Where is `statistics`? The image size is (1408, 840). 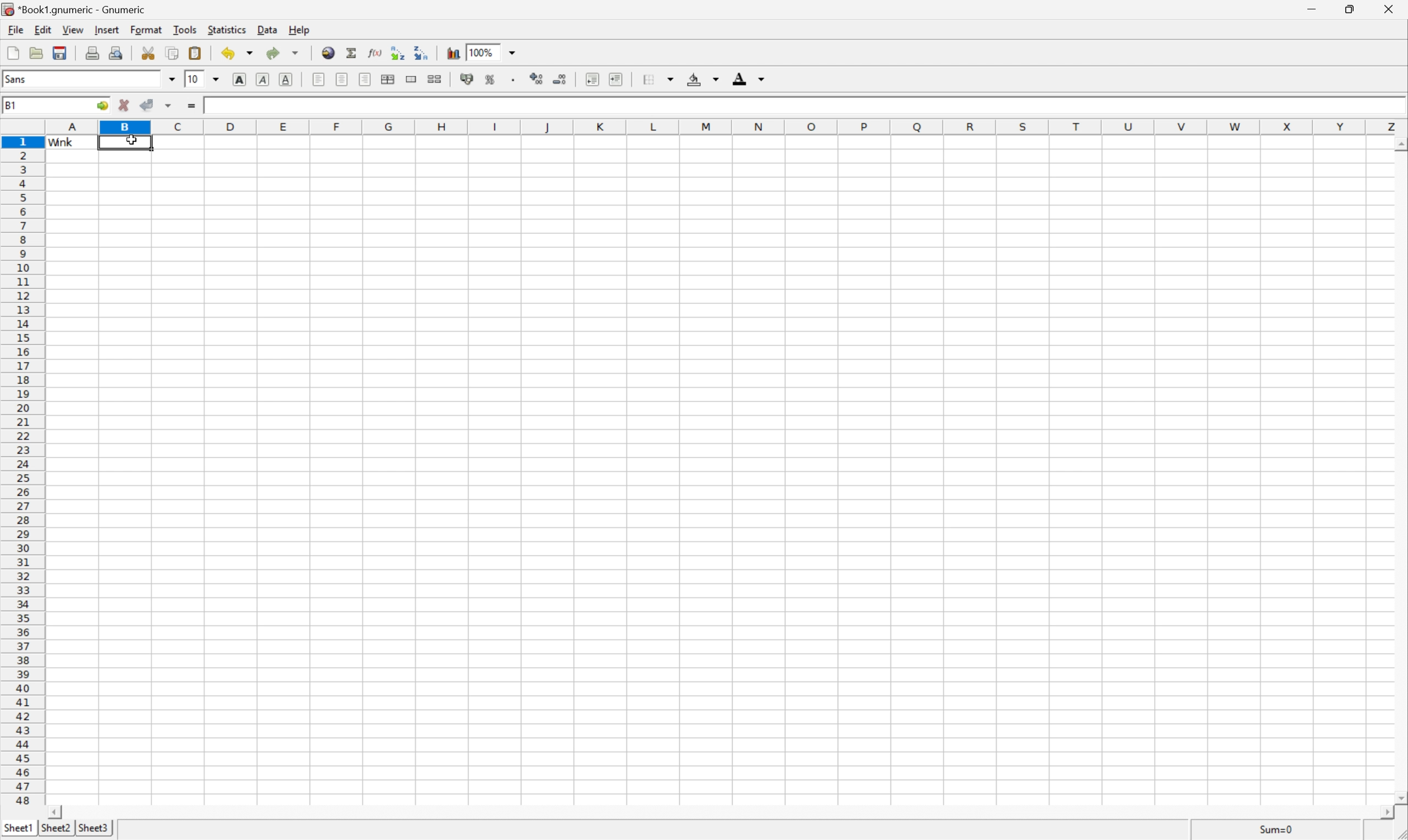
statistics is located at coordinates (225, 31).